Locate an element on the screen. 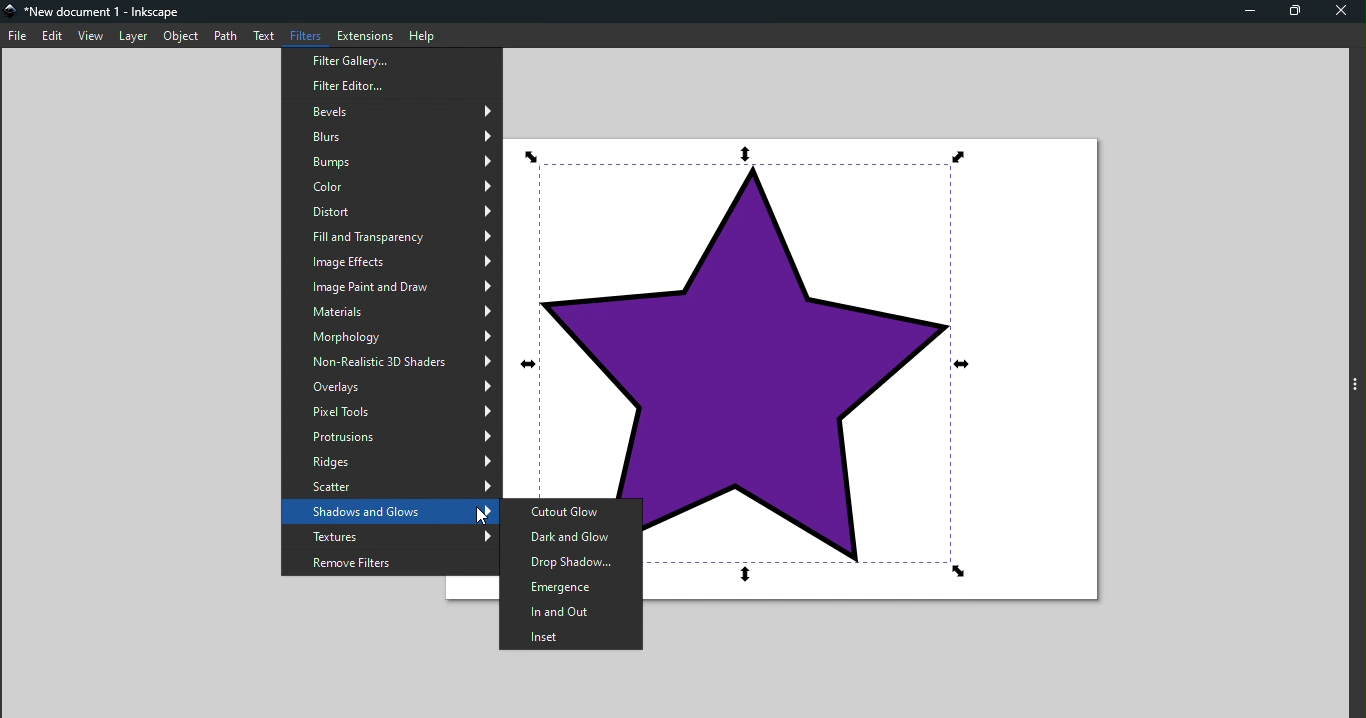  Dark and Glow is located at coordinates (572, 535).